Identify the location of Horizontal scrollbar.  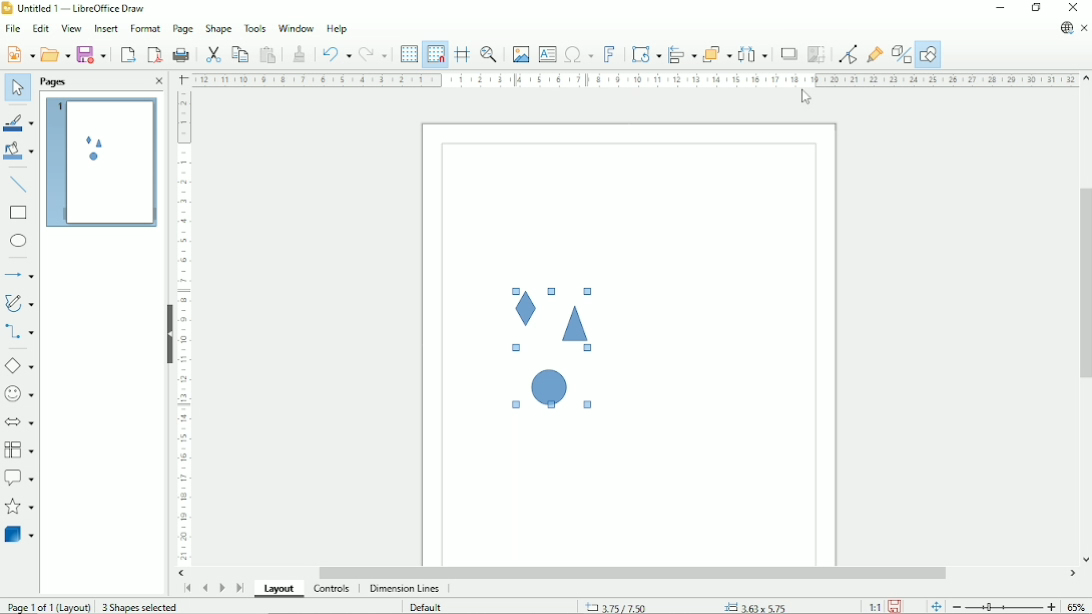
(635, 573).